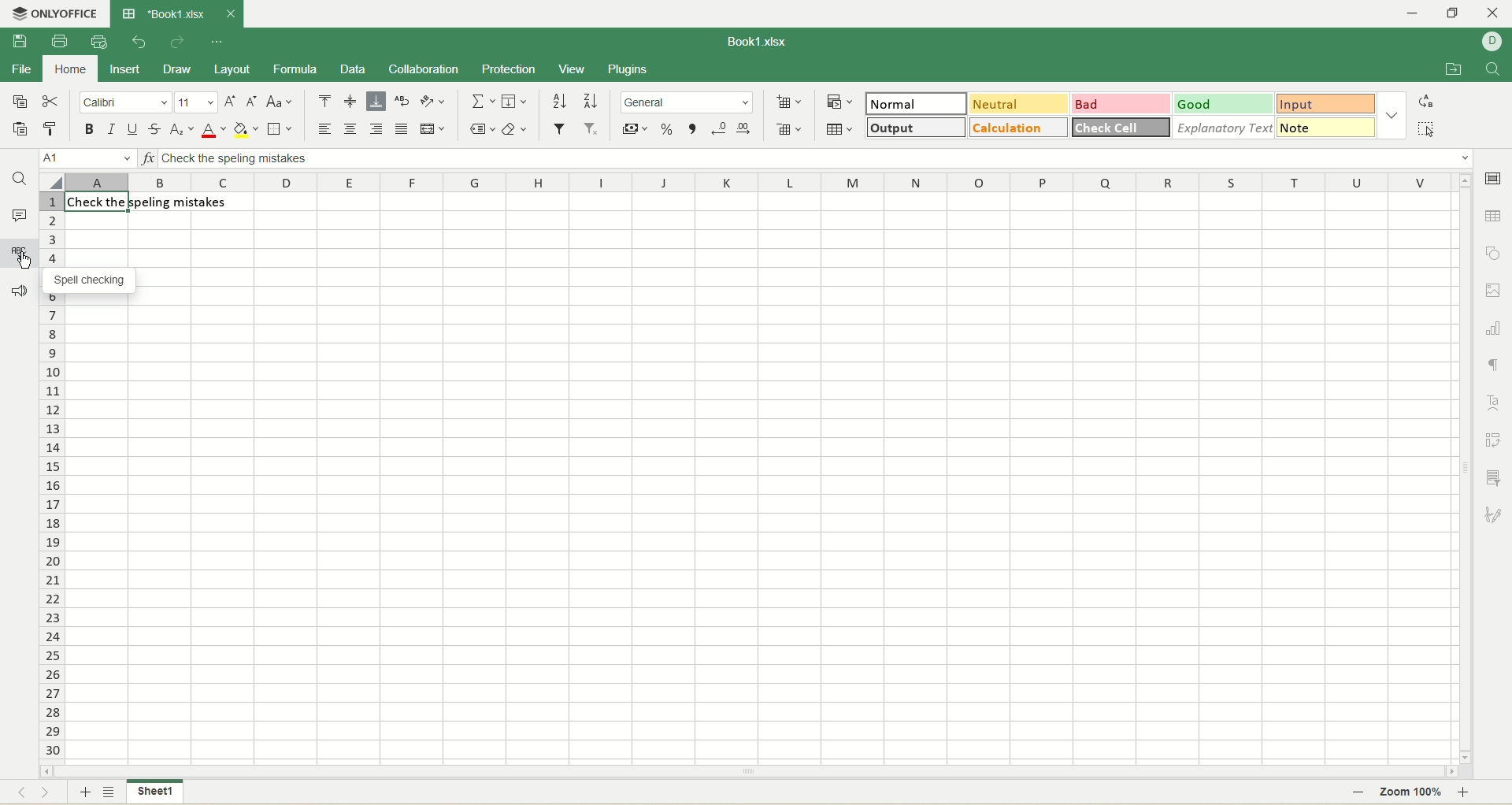  Describe the element at coordinates (87, 131) in the screenshot. I see `bold` at that location.